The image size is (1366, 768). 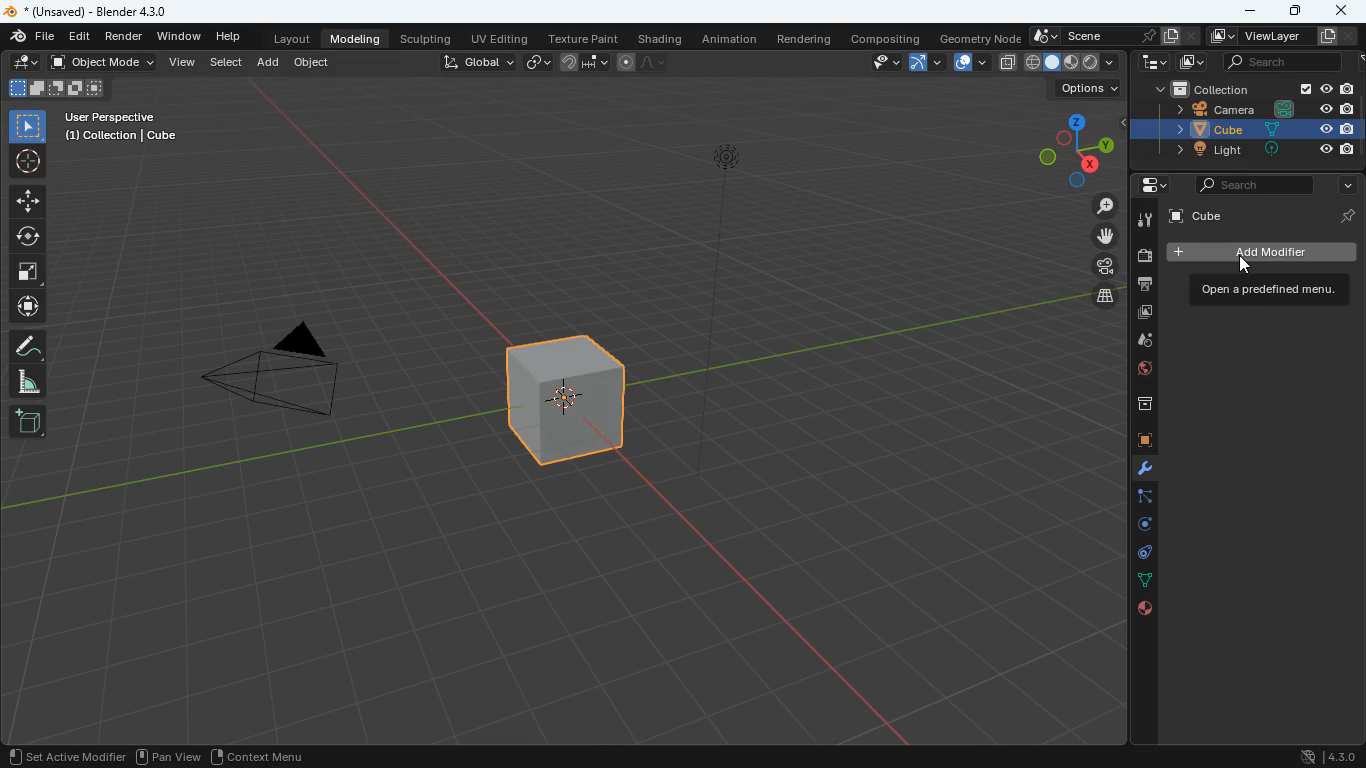 I want to click on object mode, so click(x=102, y=61).